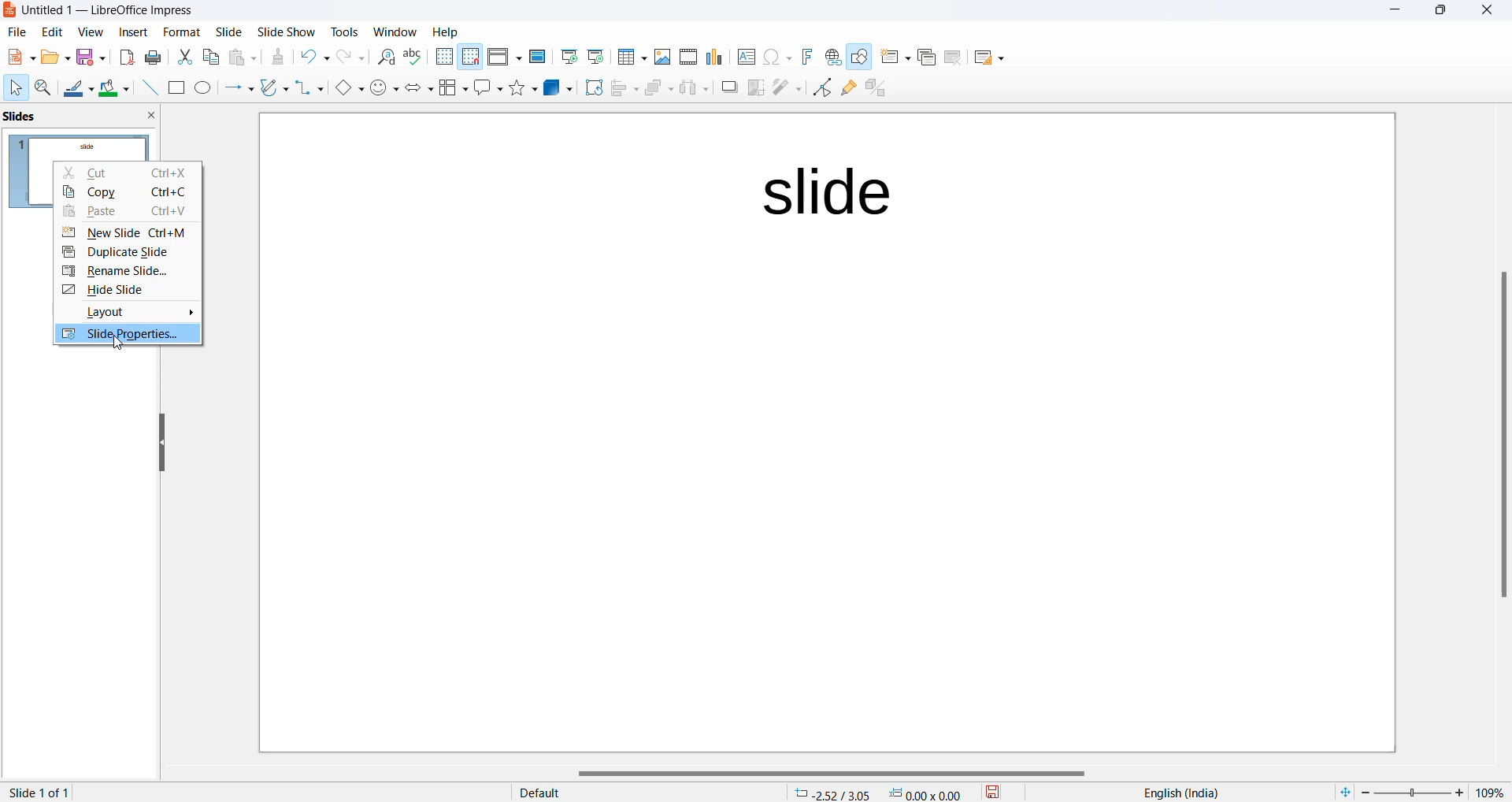  What do you see at coordinates (246, 58) in the screenshot?
I see `paste options` at bounding box center [246, 58].